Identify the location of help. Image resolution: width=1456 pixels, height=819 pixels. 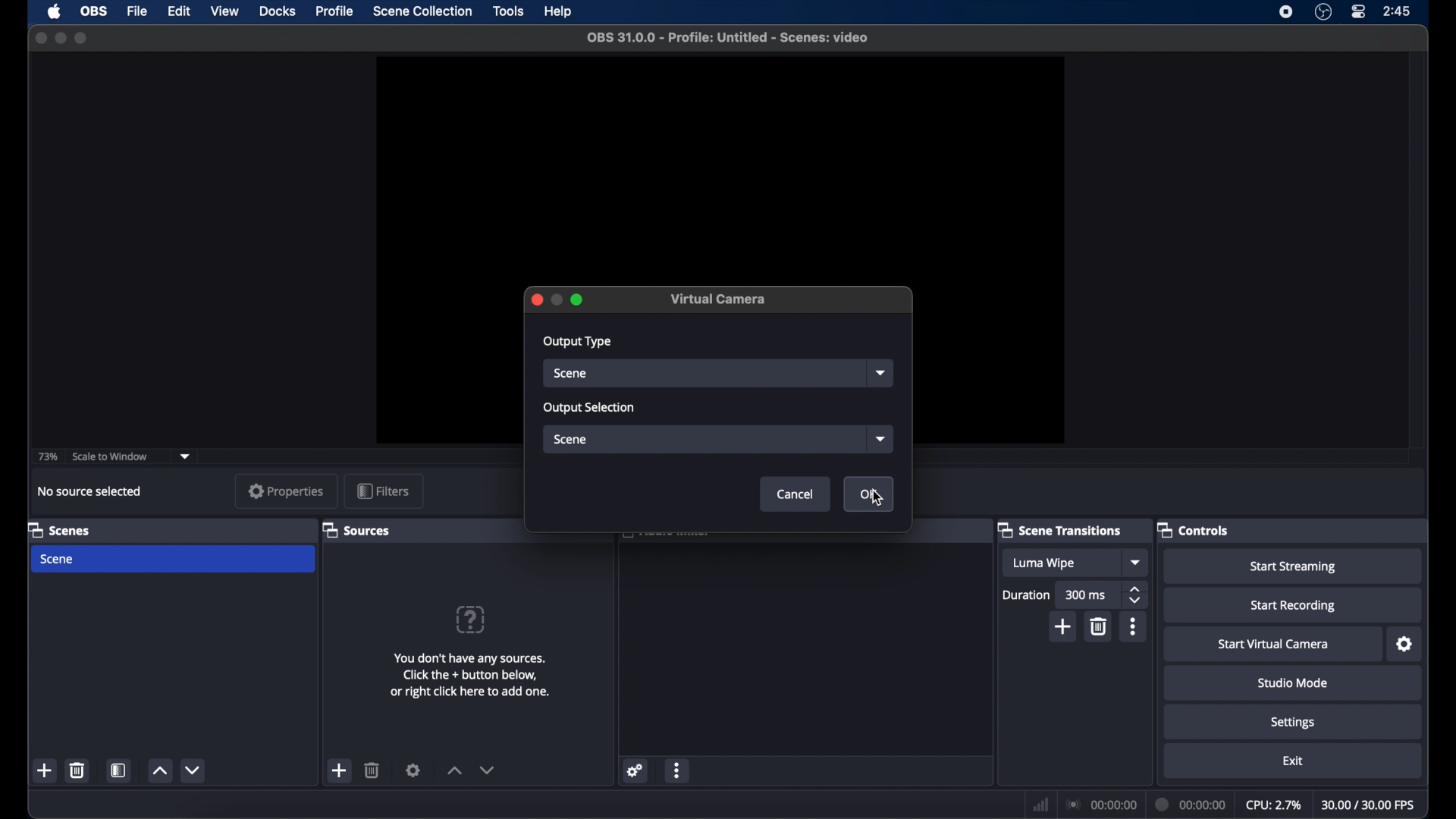
(472, 620).